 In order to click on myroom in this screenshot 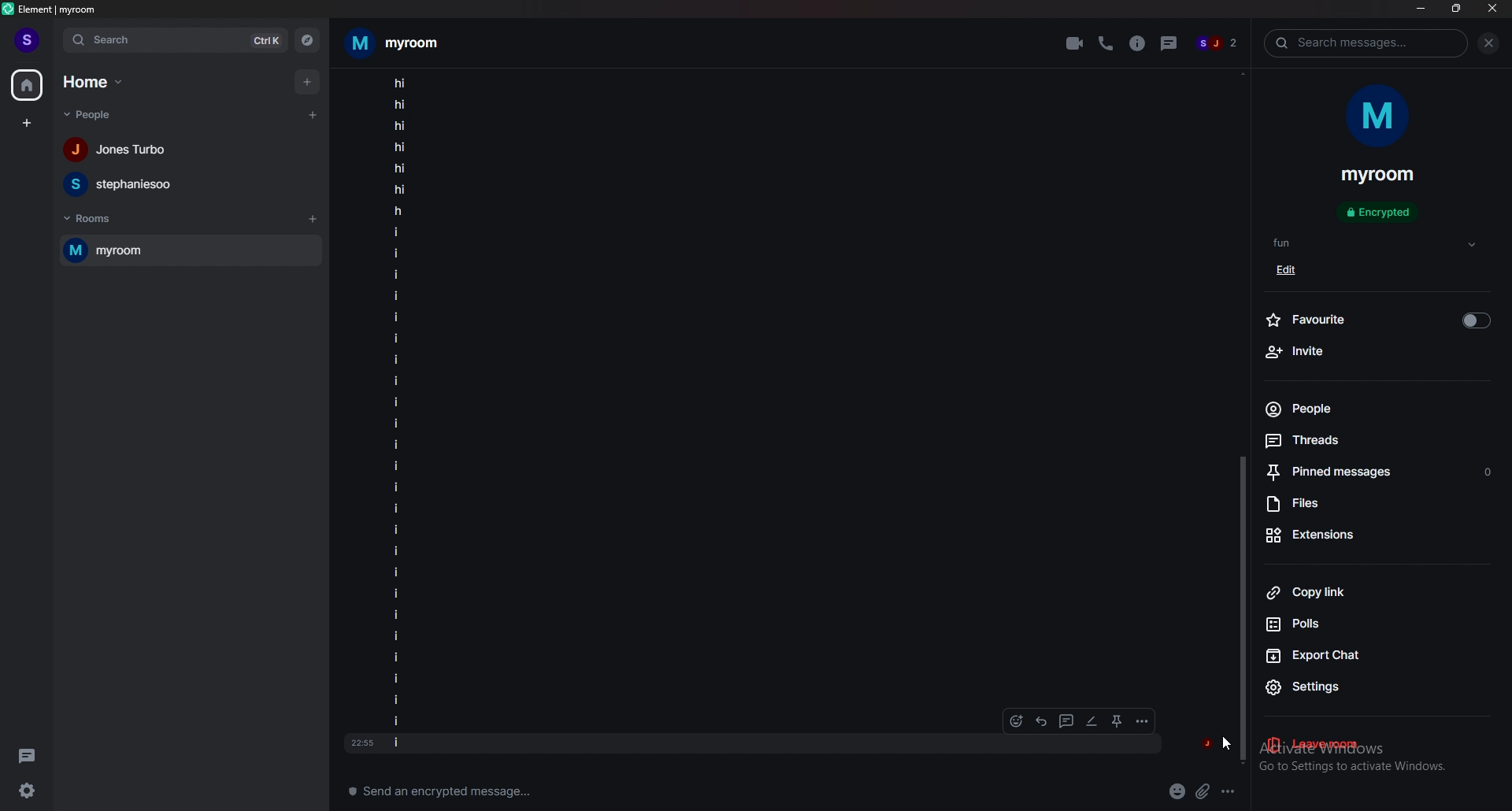, I will do `click(192, 251)`.